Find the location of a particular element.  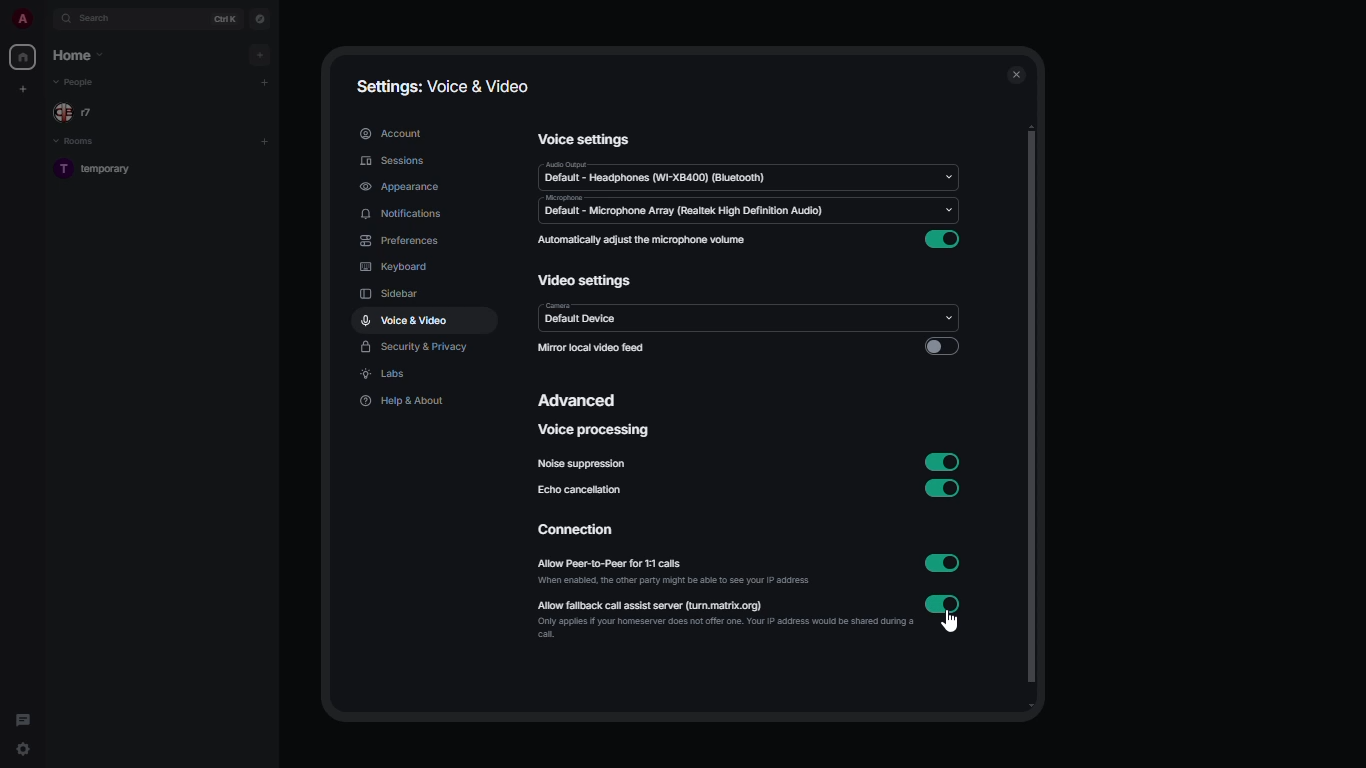

add is located at coordinates (263, 55).